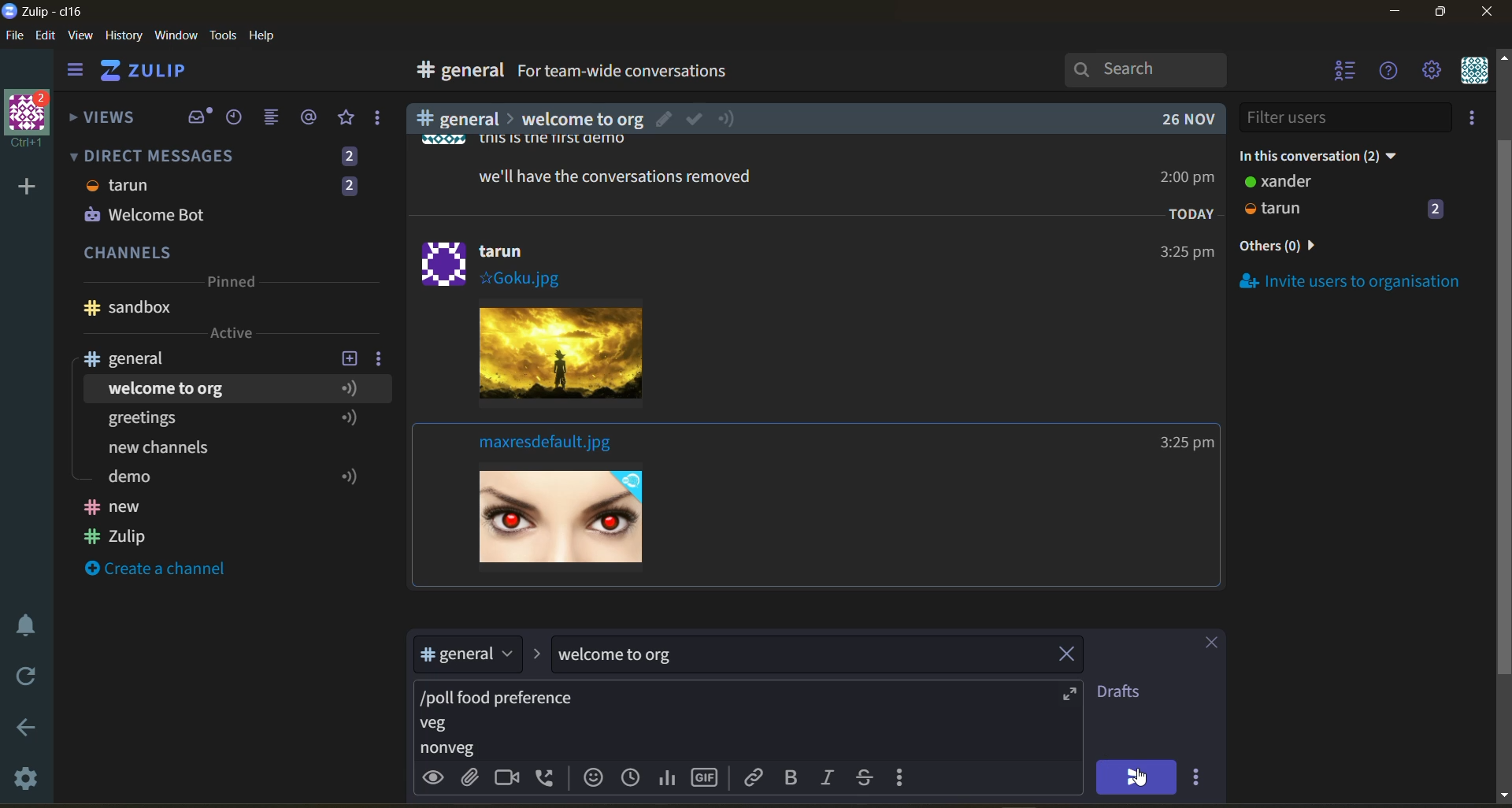  I want to click on topic, so click(631, 655).